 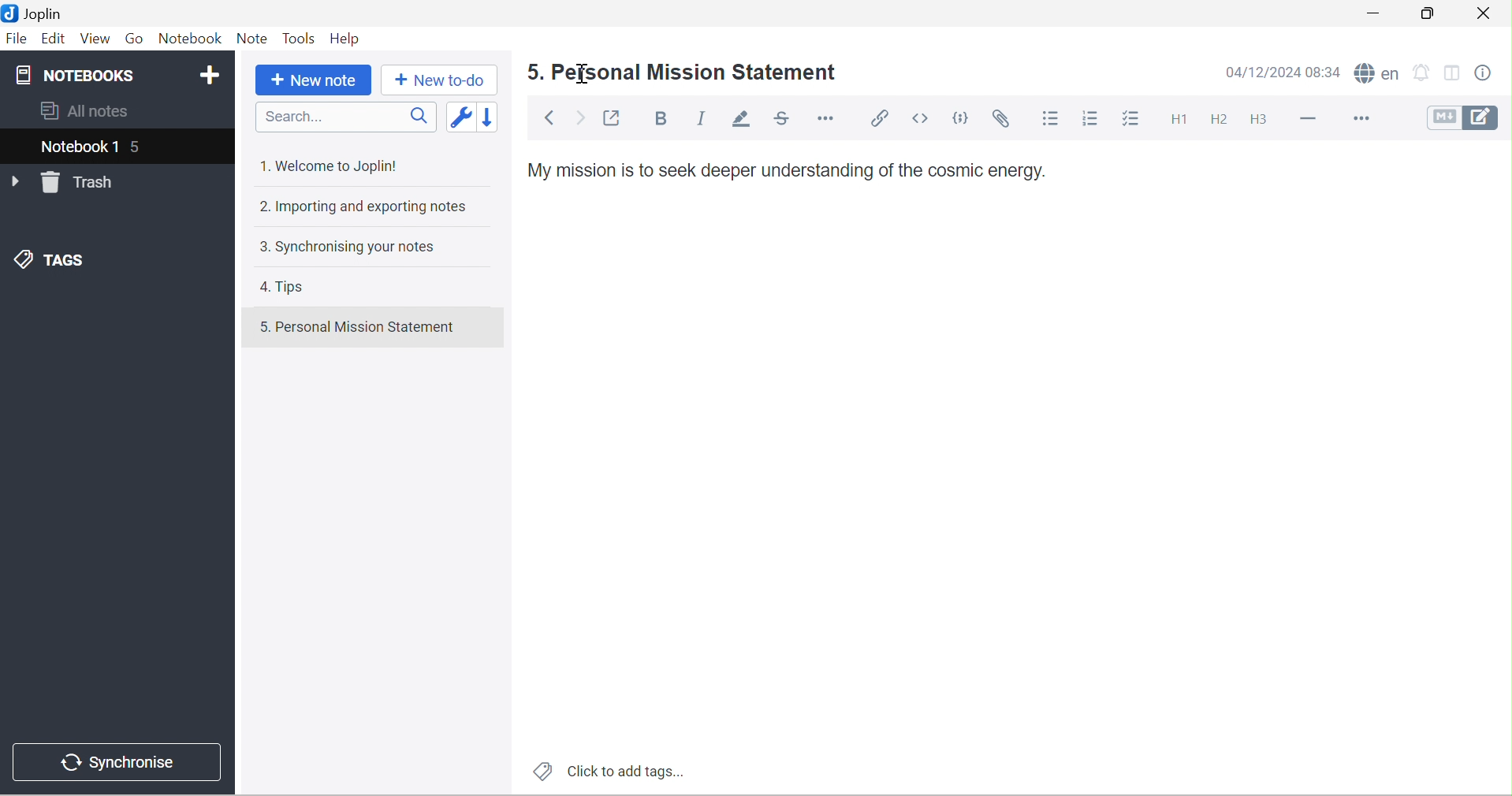 I want to click on Click to add tags, so click(x=608, y=772).